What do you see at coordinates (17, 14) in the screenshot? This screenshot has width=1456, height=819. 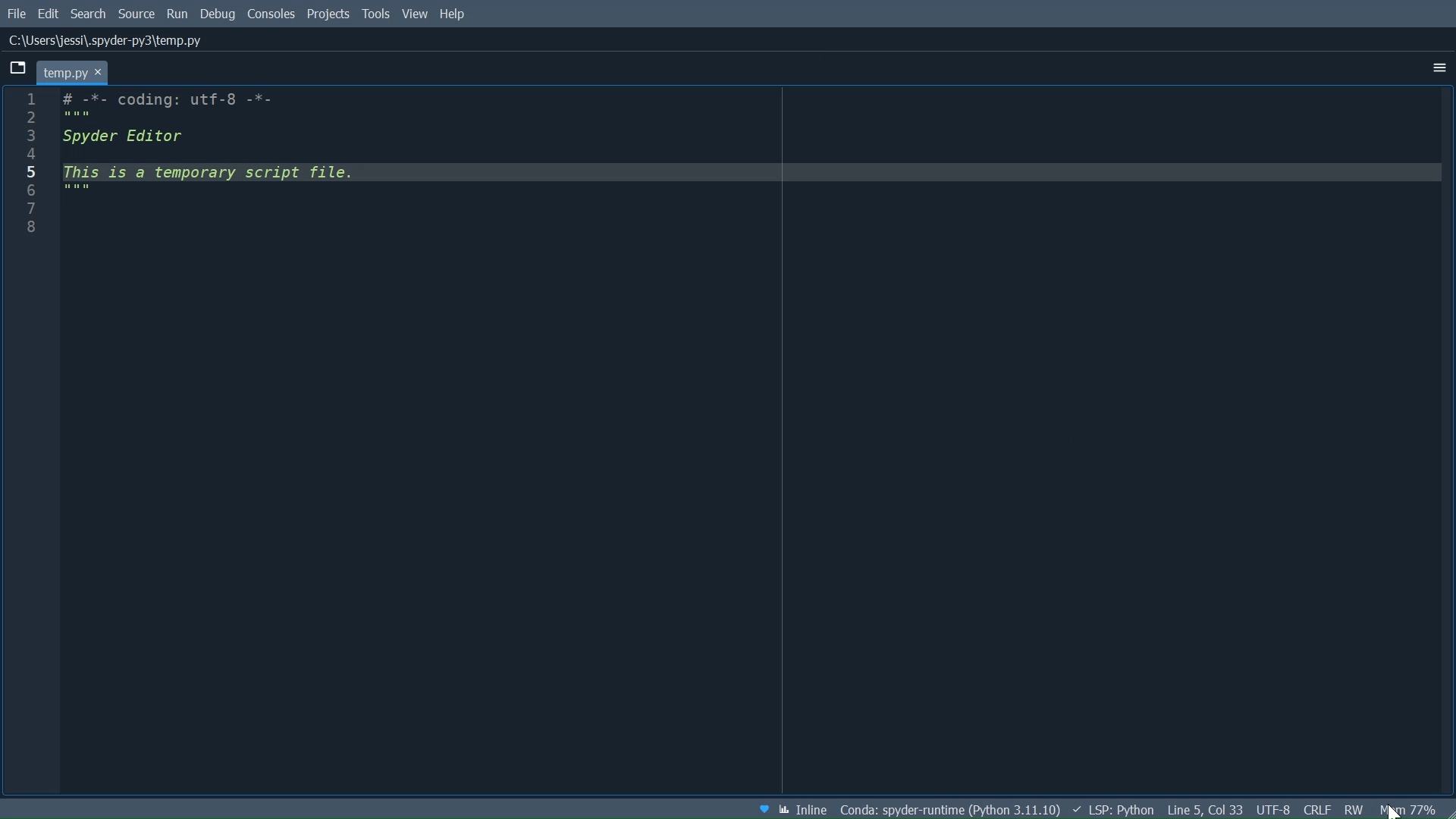 I see `File` at bounding box center [17, 14].